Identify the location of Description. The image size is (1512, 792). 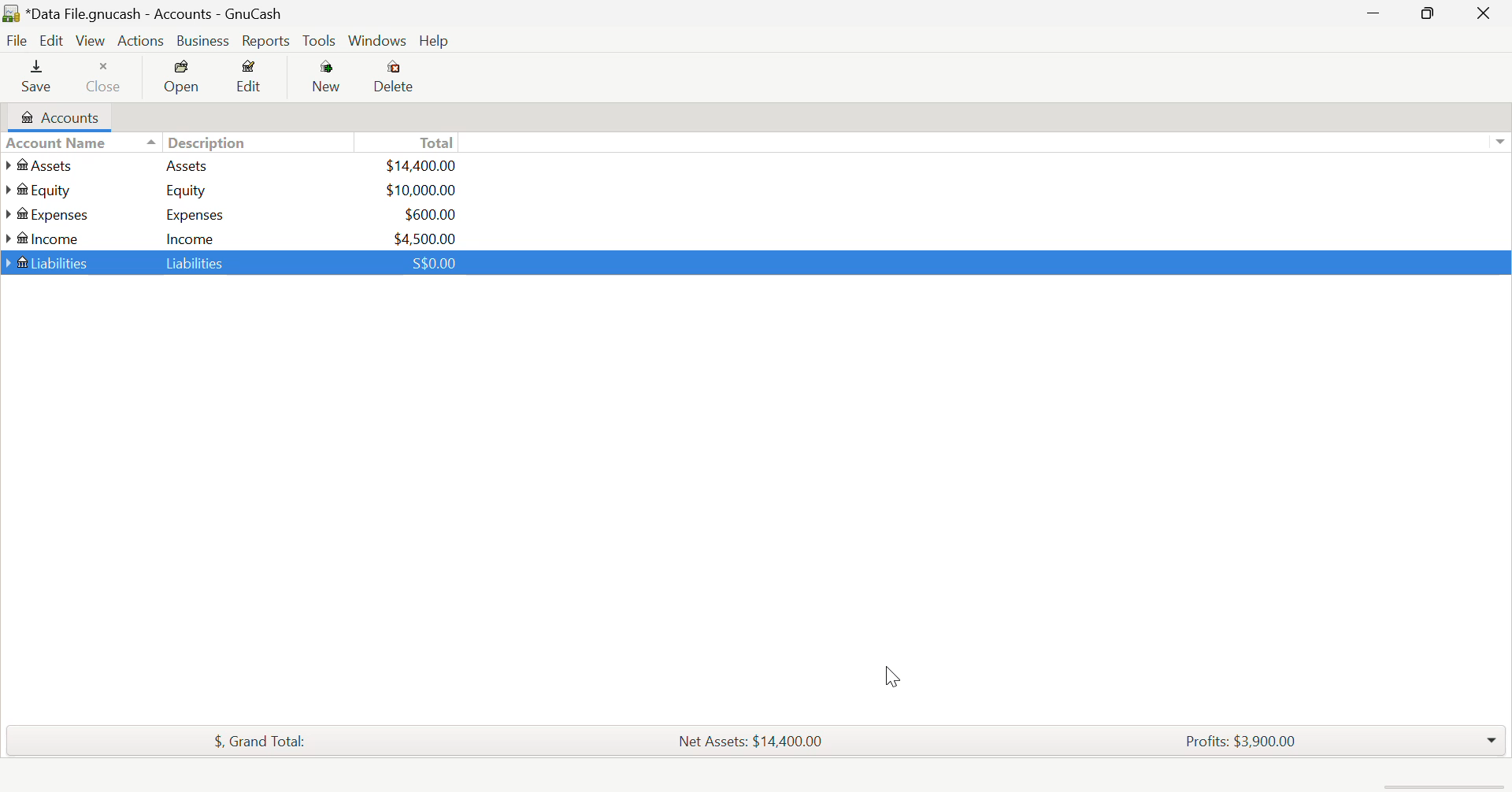
(197, 141).